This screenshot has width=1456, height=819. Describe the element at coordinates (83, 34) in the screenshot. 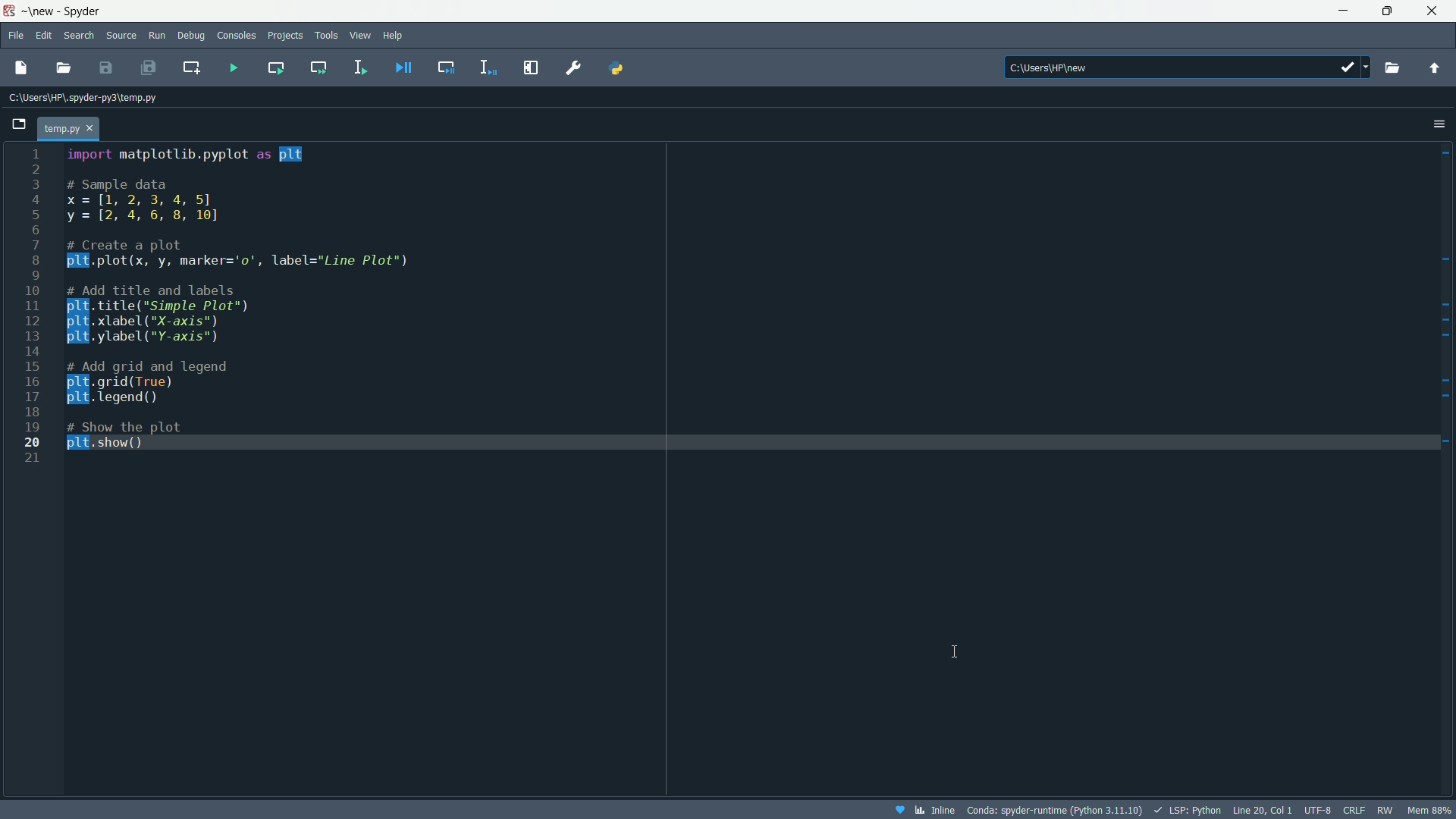

I see `search` at that location.